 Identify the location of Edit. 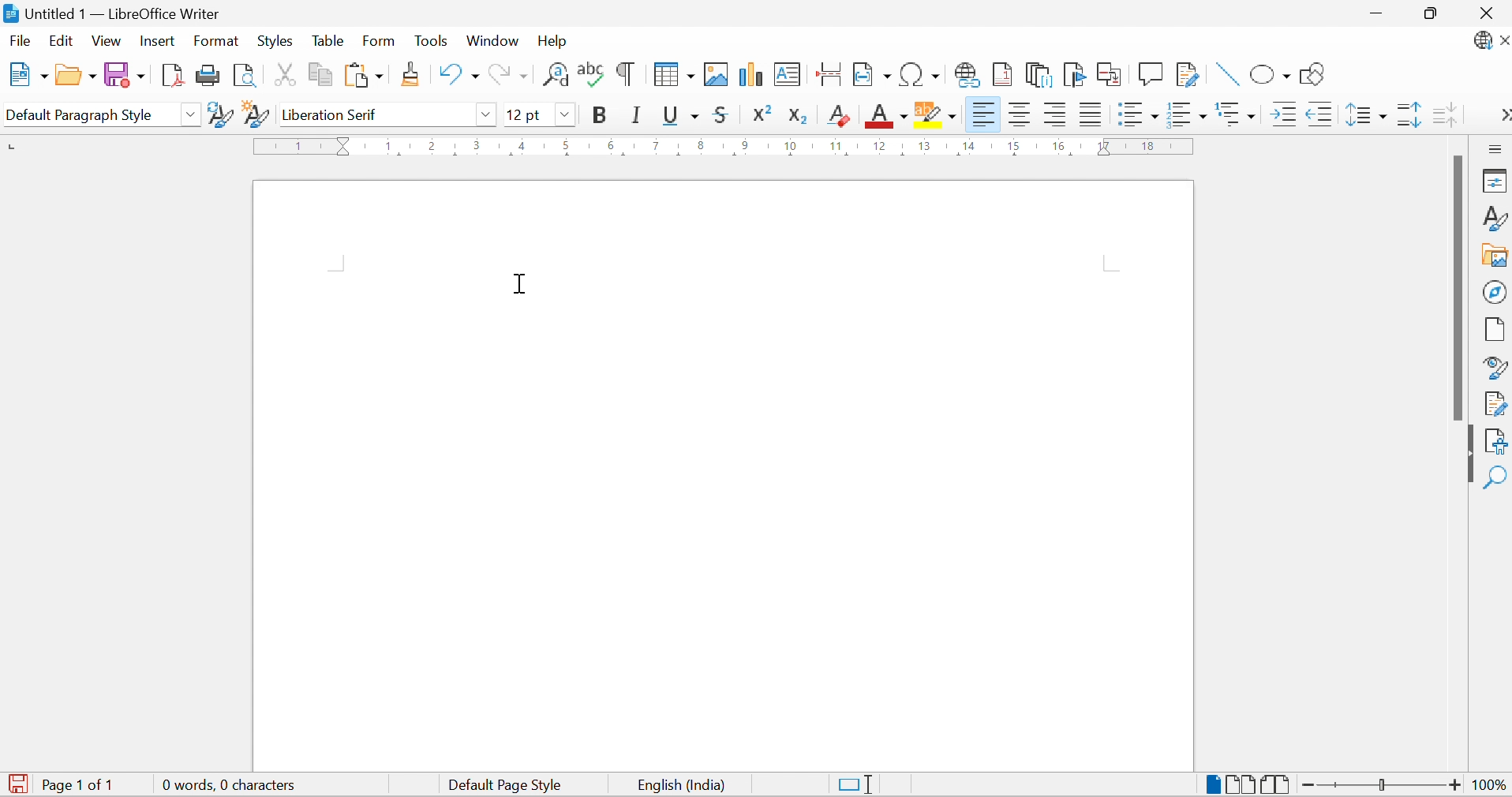
(62, 40).